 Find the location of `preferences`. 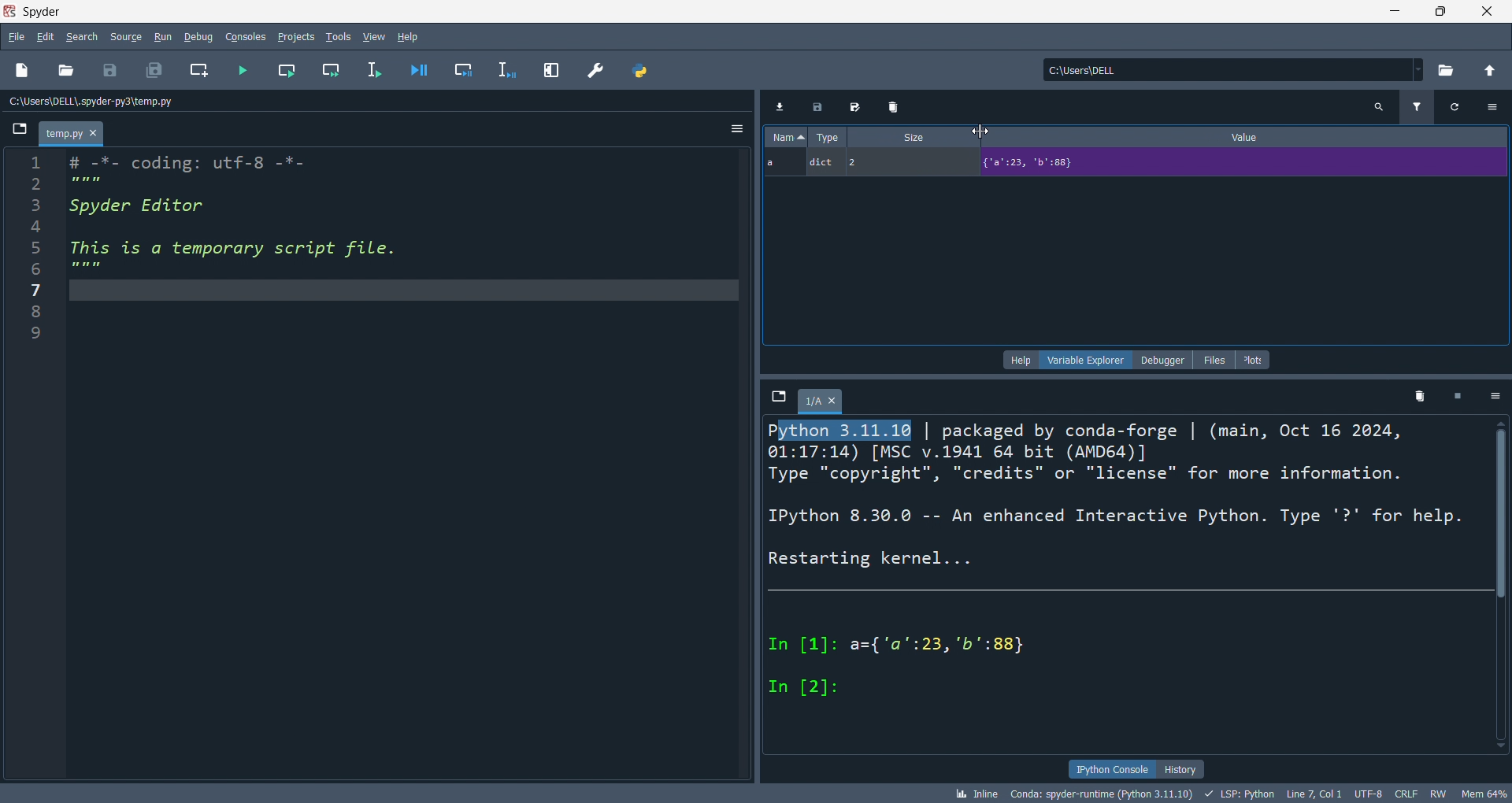

preferences is located at coordinates (593, 67).